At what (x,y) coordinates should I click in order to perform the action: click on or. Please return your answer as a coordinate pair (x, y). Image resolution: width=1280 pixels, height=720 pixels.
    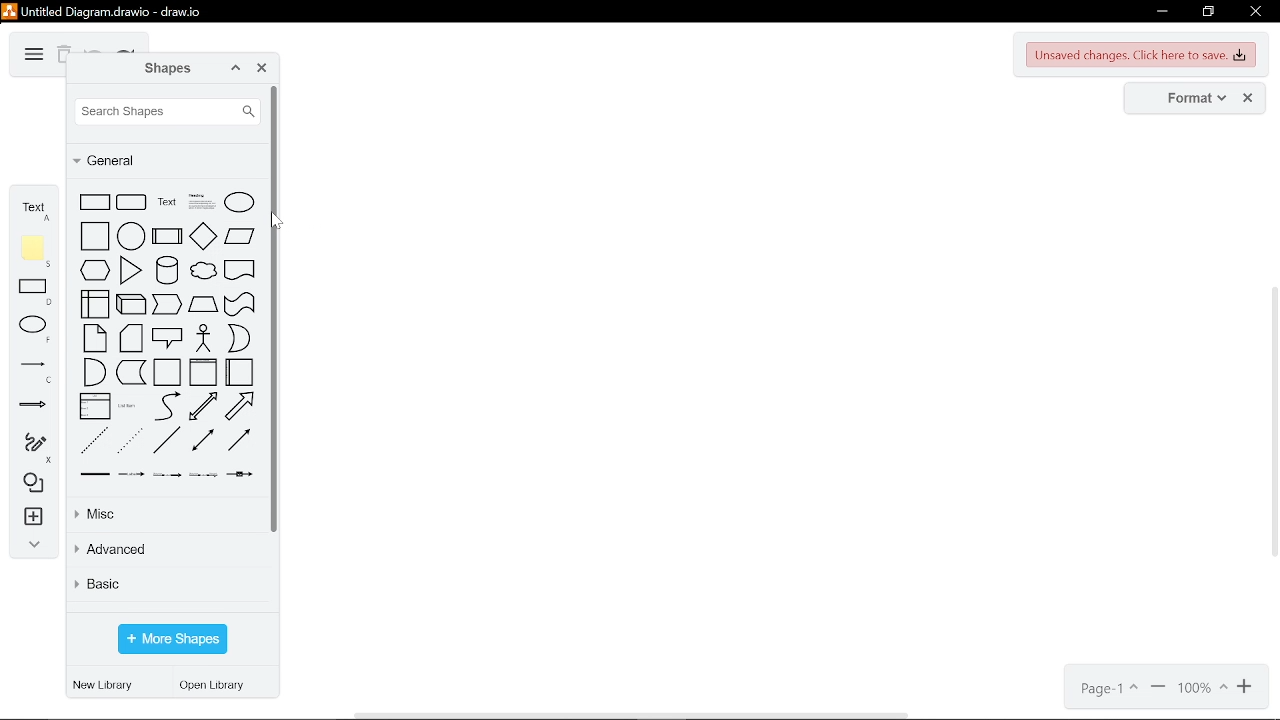
    Looking at the image, I should click on (239, 337).